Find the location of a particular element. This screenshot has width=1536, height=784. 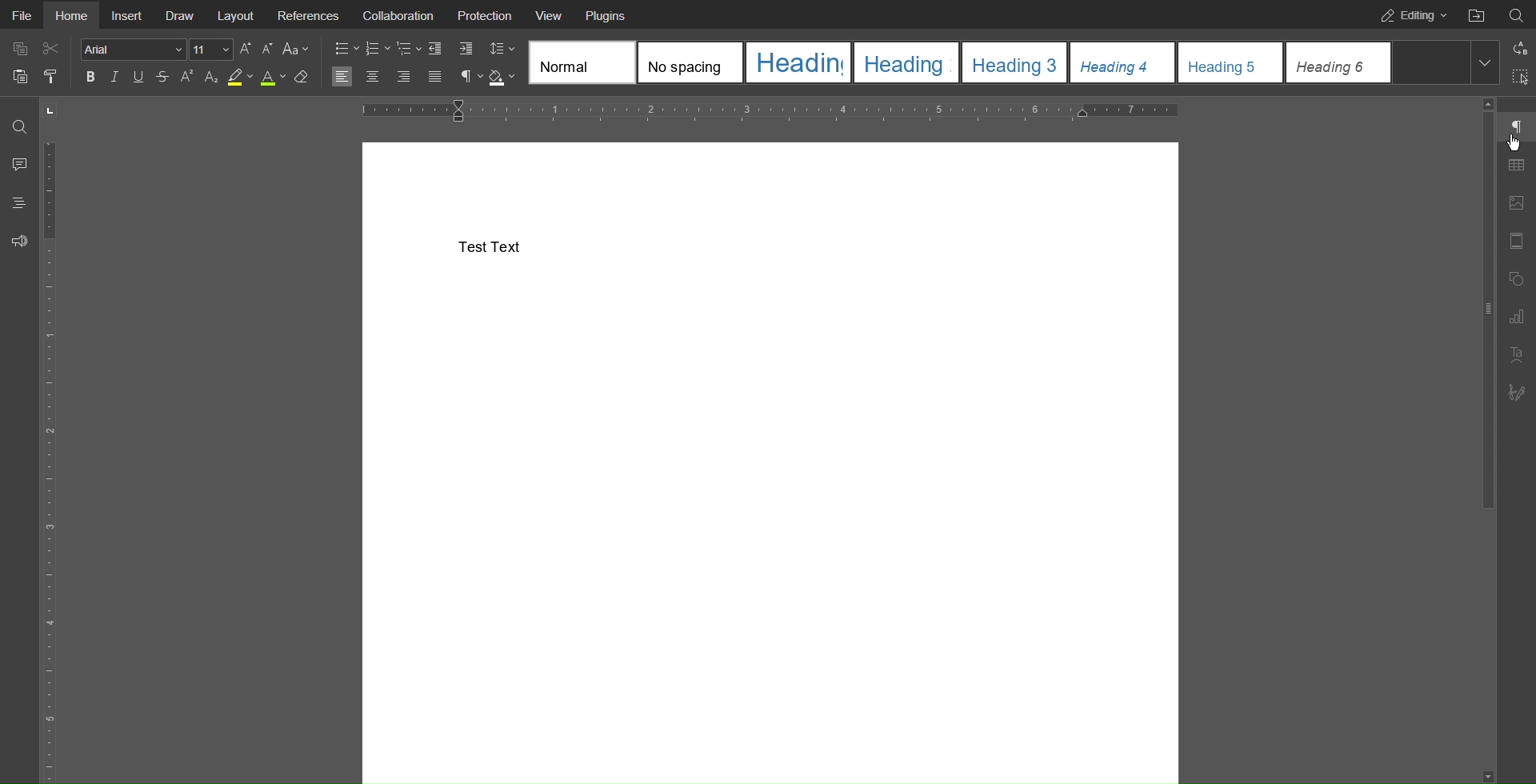

Font Settings is located at coordinates (157, 49).